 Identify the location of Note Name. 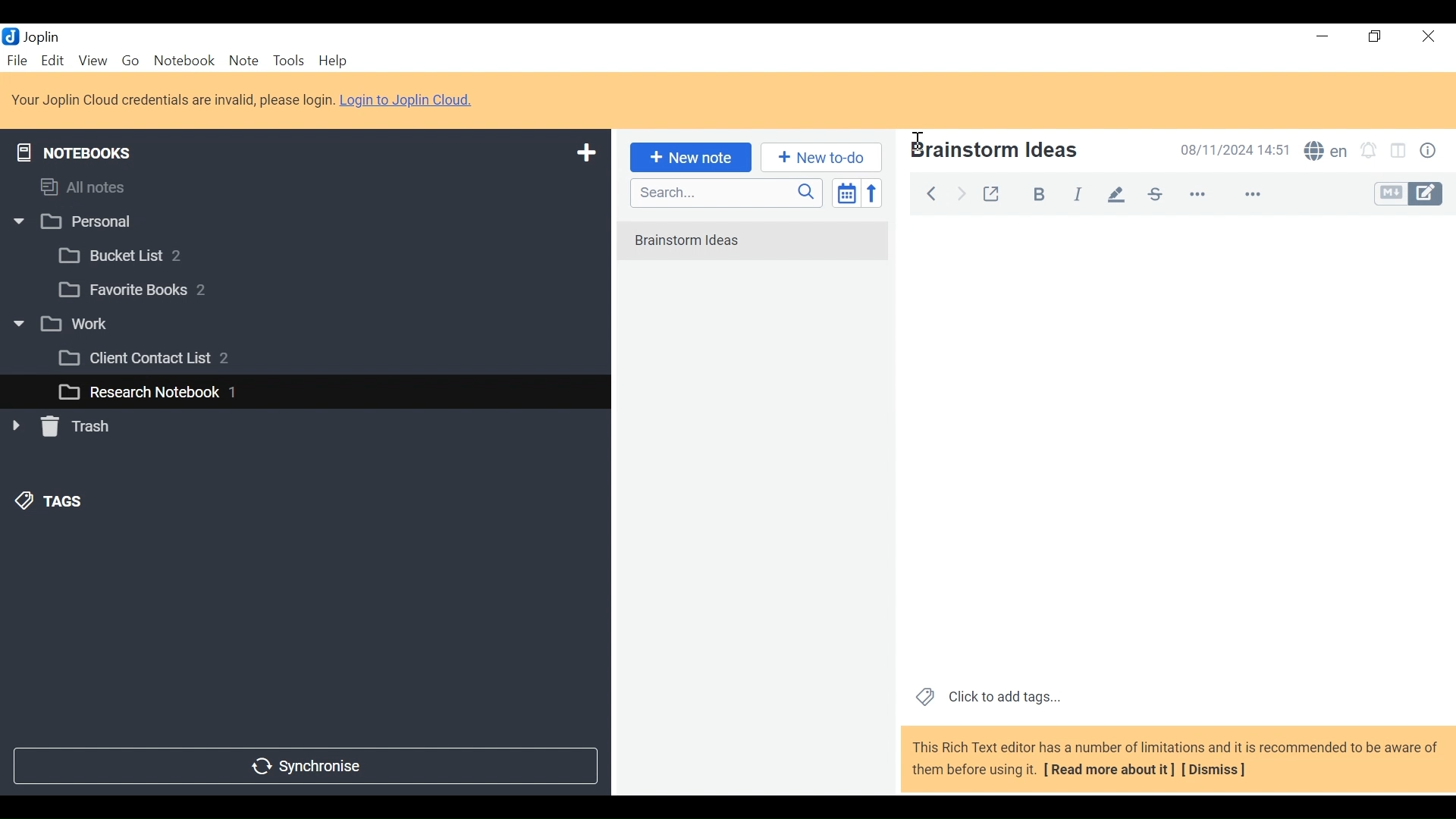
(1026, 152).